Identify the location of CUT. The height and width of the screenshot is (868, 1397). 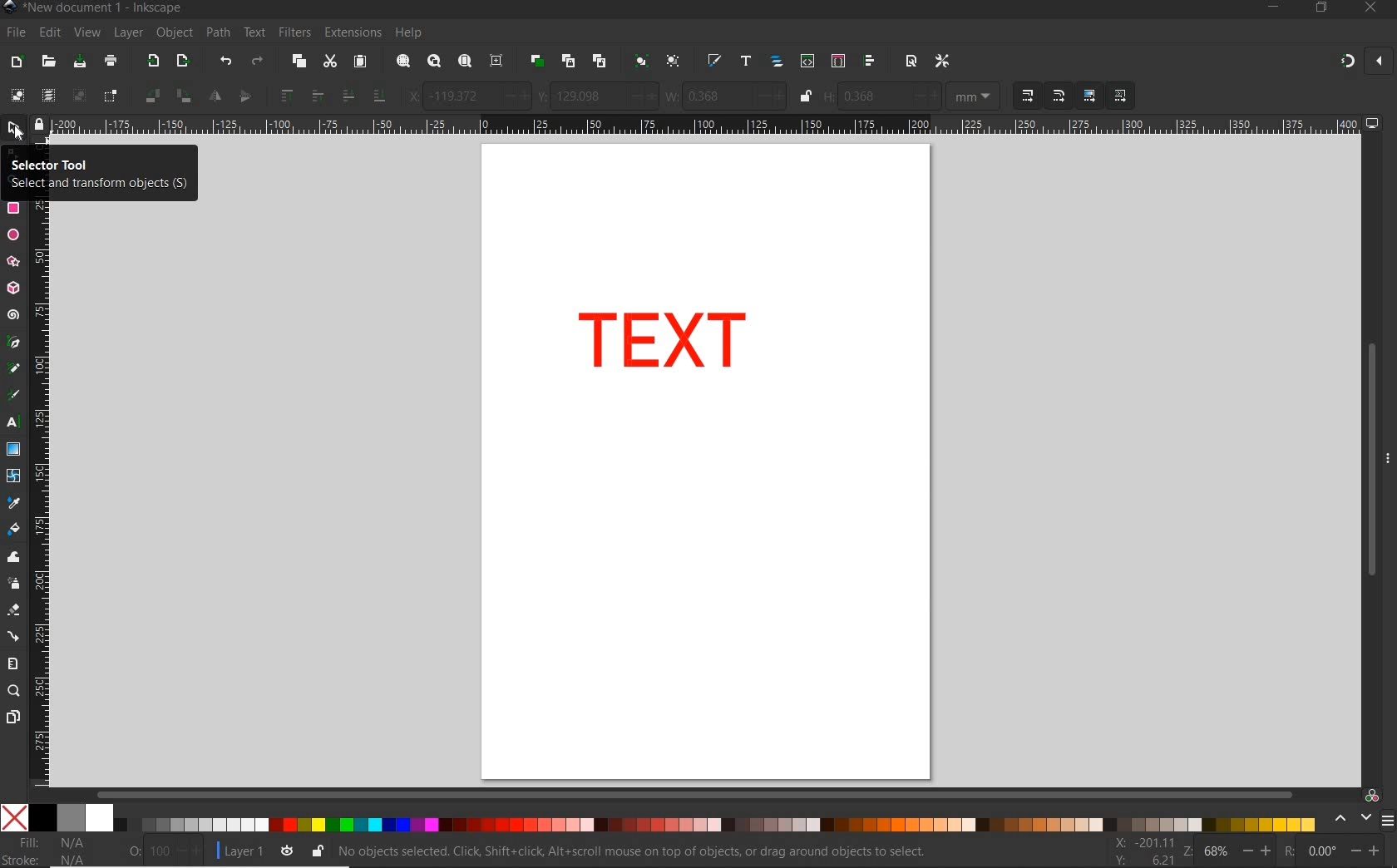
(329, 62).